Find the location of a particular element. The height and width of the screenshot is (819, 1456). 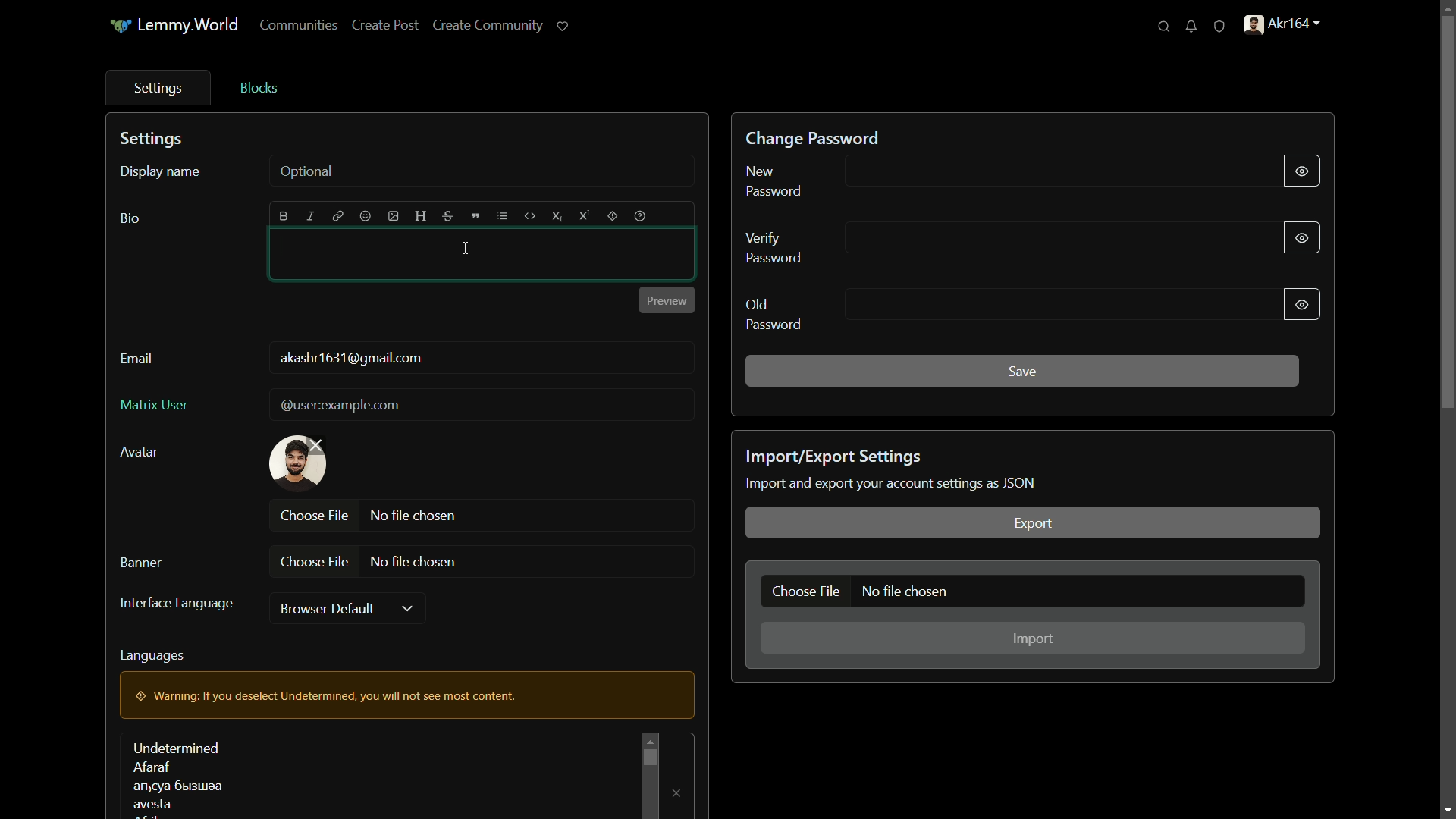

image is located at coordinates (393, 216).